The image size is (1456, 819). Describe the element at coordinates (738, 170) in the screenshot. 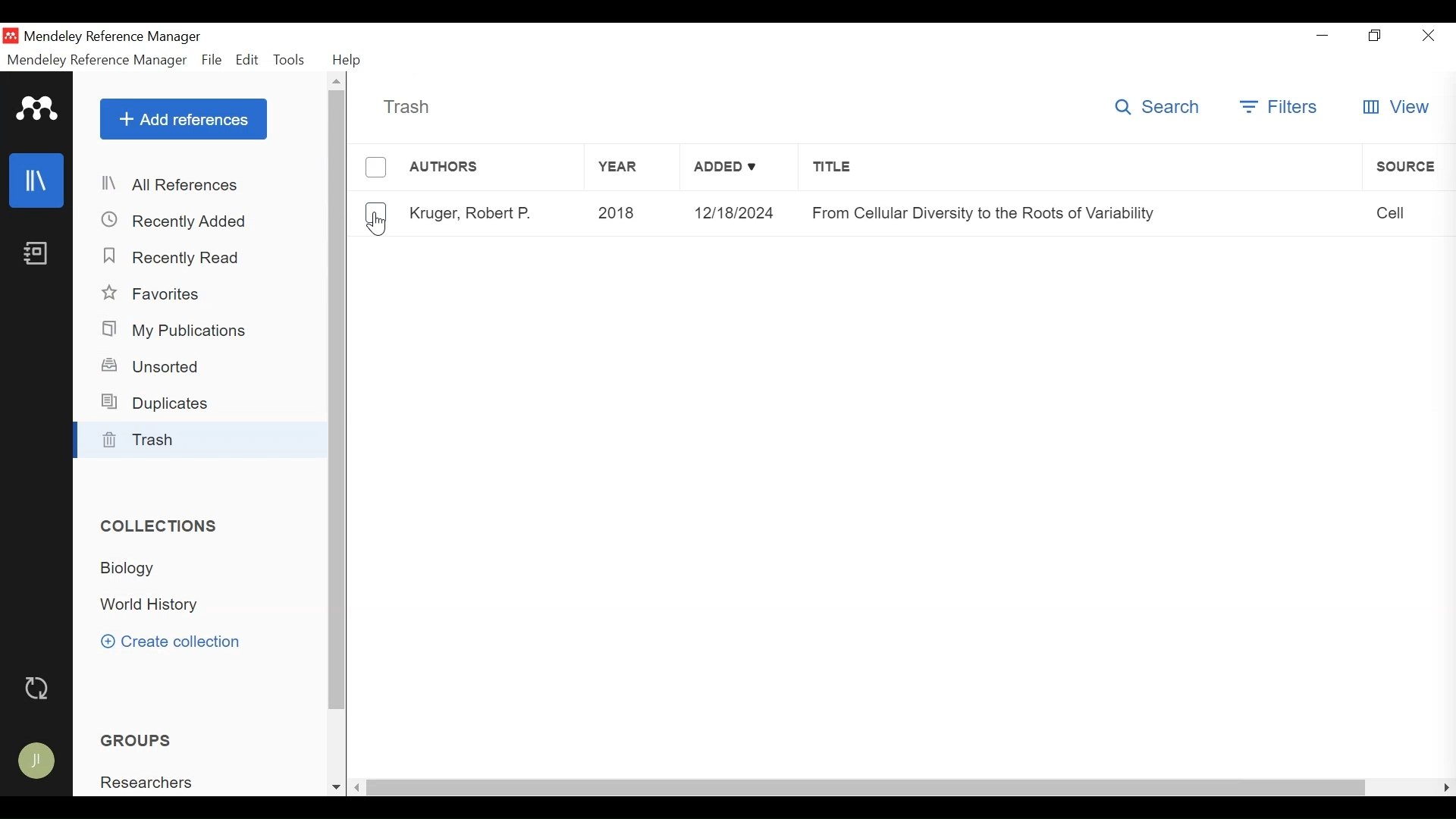

I see `Added` at that location.